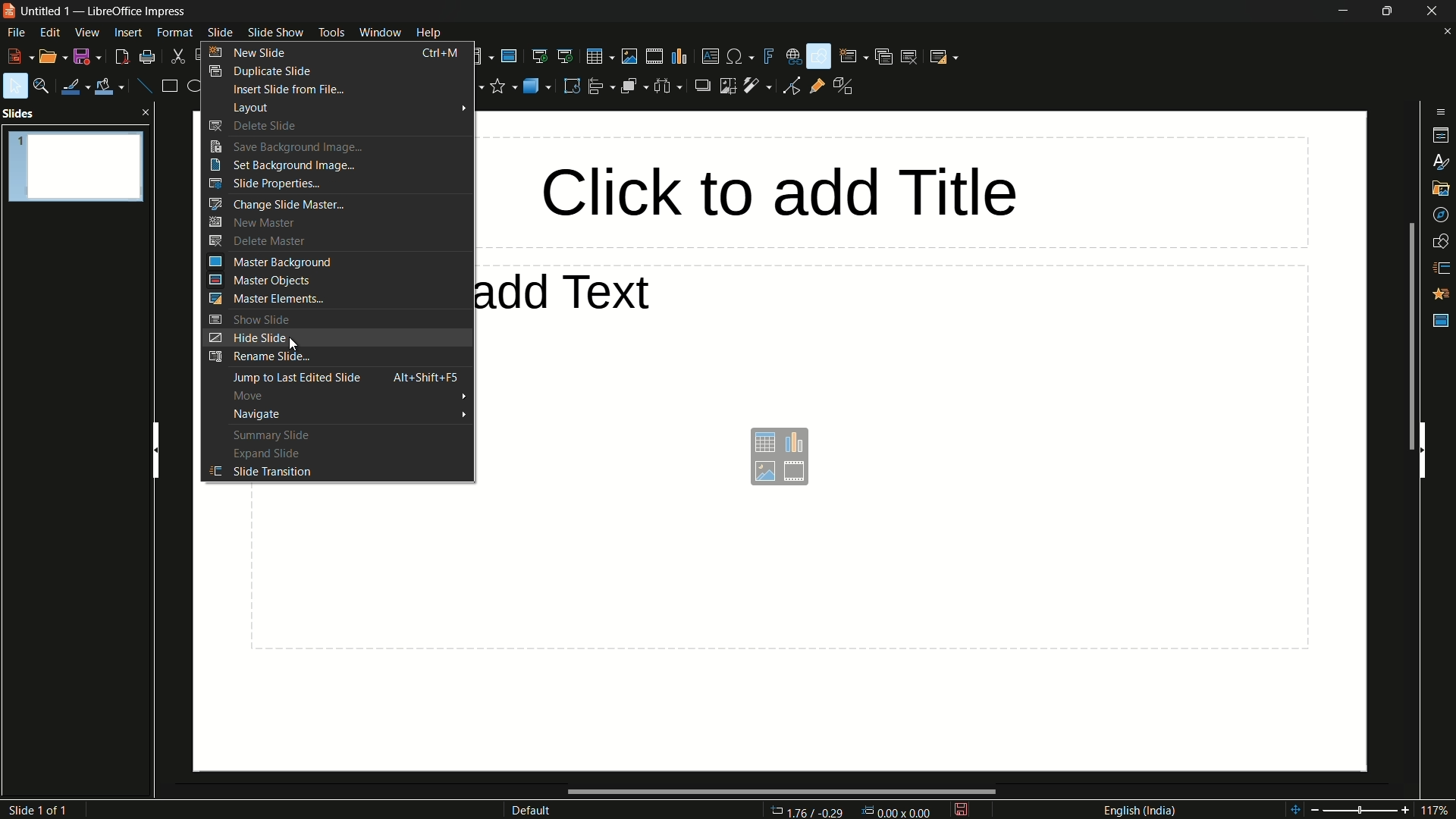 This screenshot has height=819, width=1456. Describe the element at coordinates (1143, 810) in the screenshot. I see `language` at that location.